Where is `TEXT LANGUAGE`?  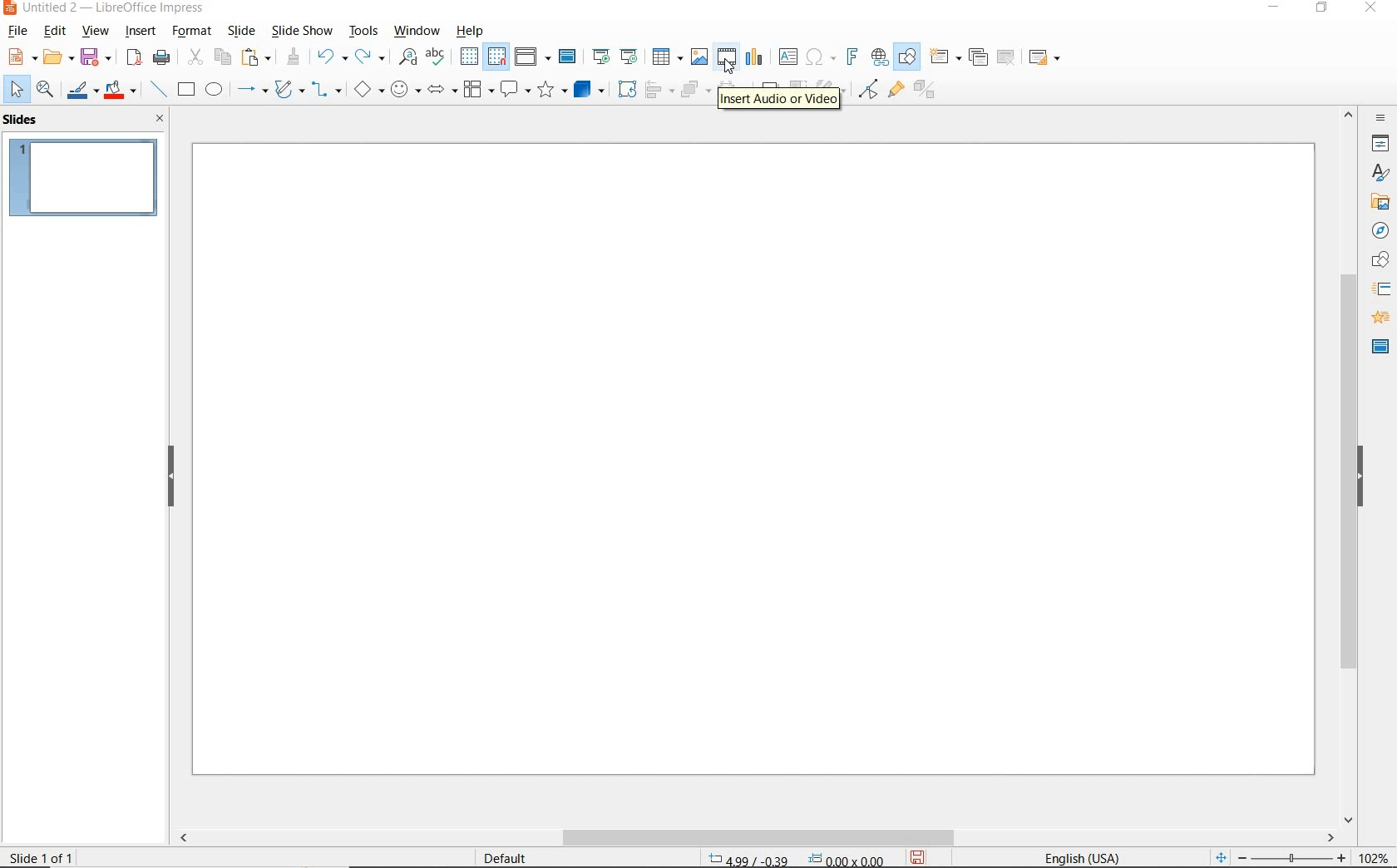 TEXT LANGUAGE is located at coordinates (1087, 855).